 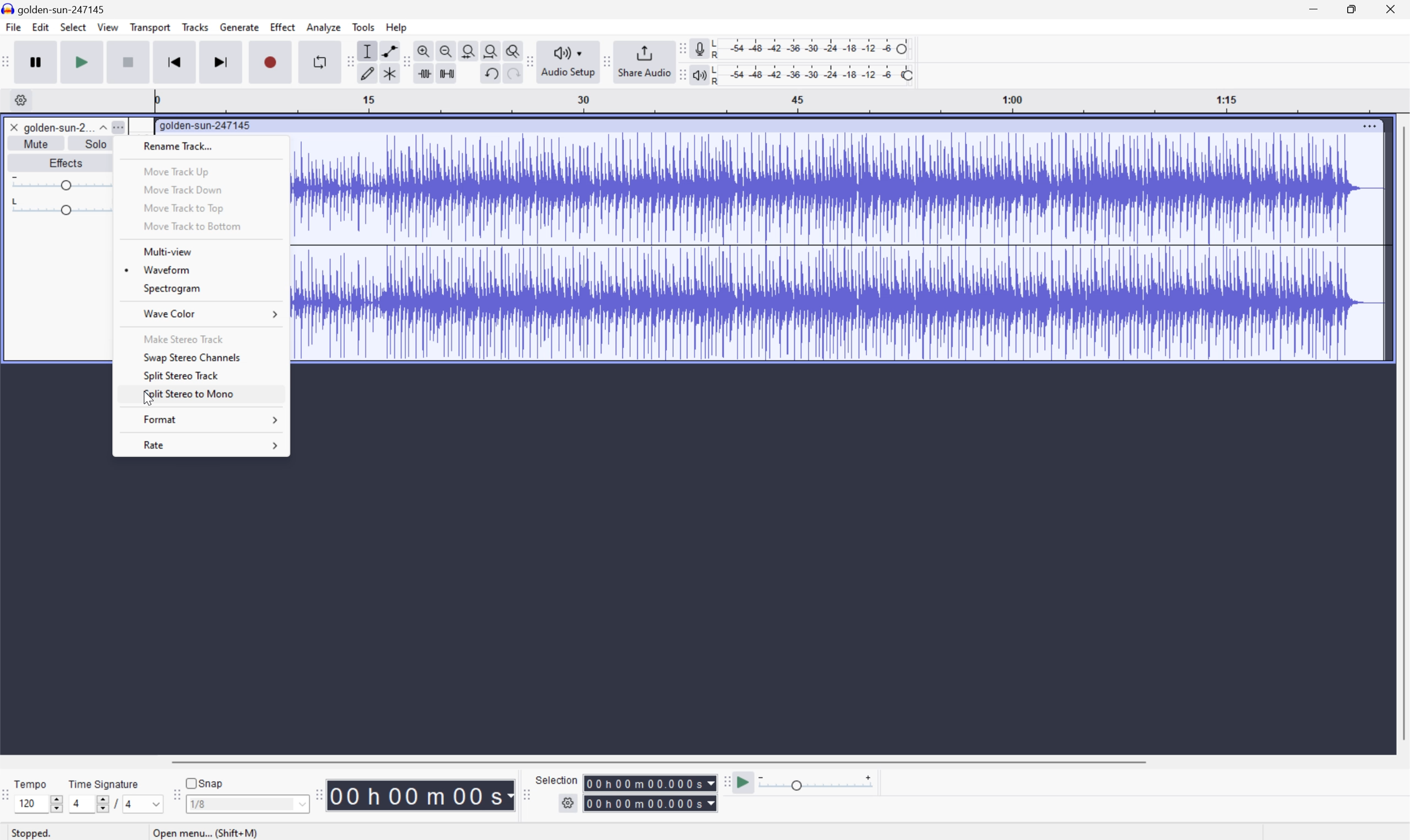 What do you see at coordinates (680, 70) in the screenshot?
I see `Audacity playback meter toolbar` at bounding box center [680, 70].